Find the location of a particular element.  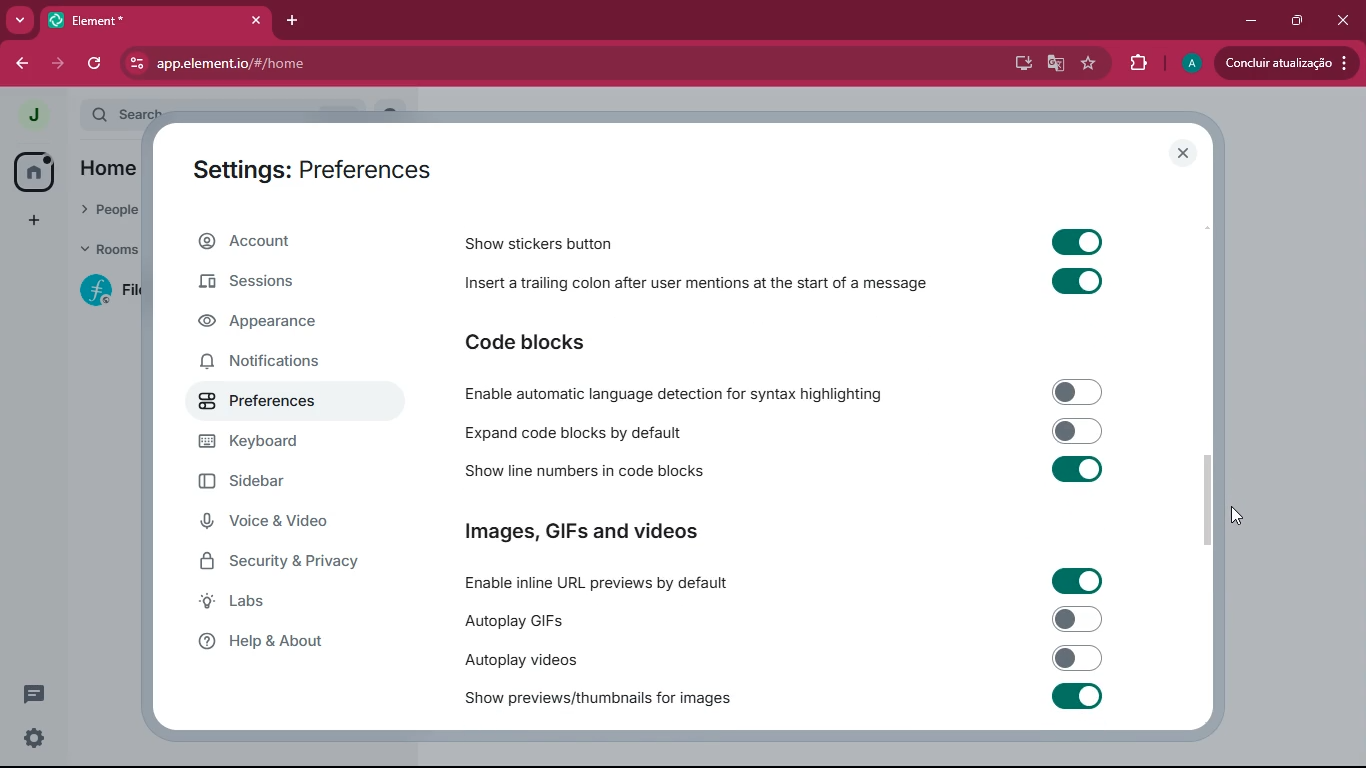

settings is located at coordinates (32, 738).